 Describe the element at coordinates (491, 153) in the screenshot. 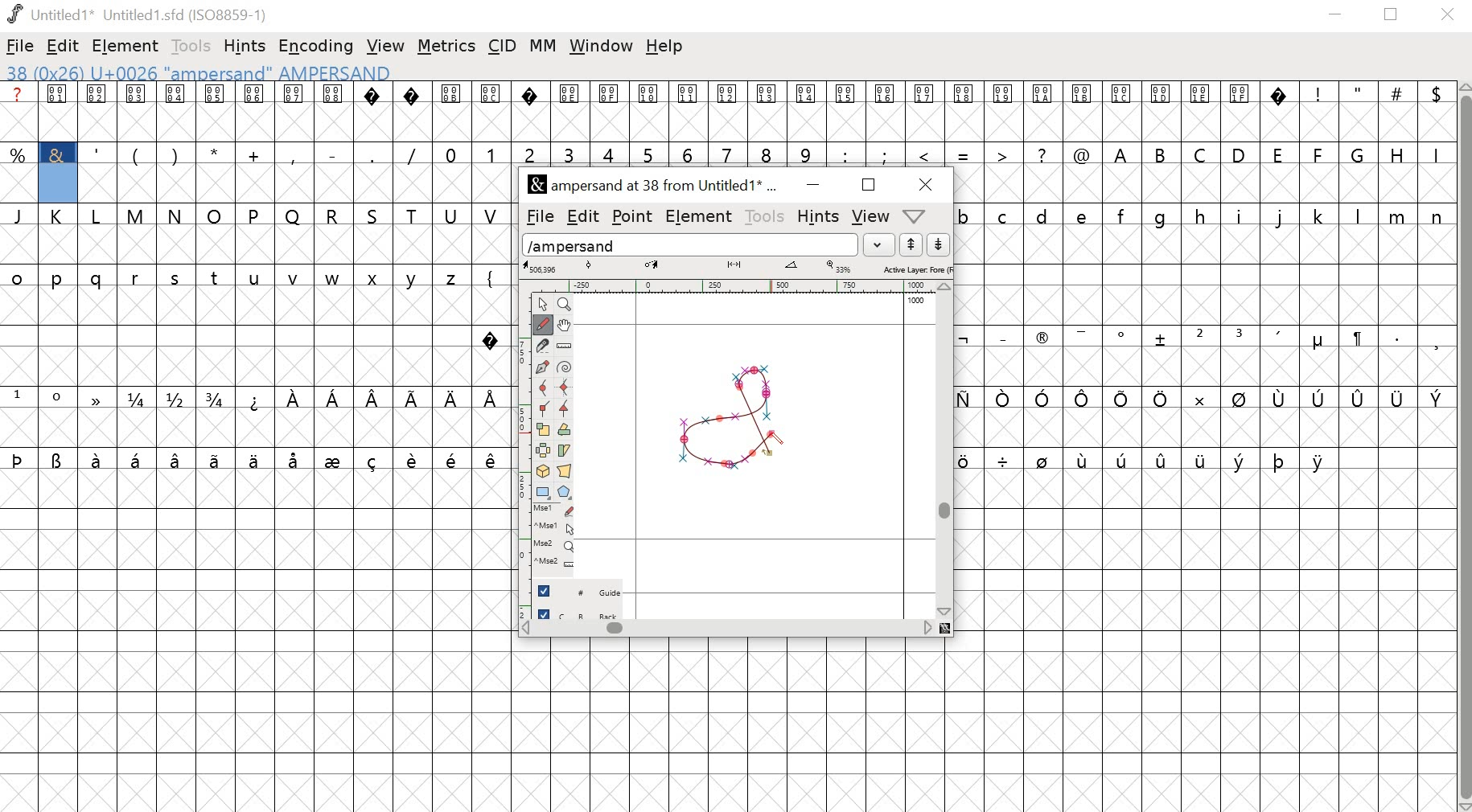

I see `1` at that location.